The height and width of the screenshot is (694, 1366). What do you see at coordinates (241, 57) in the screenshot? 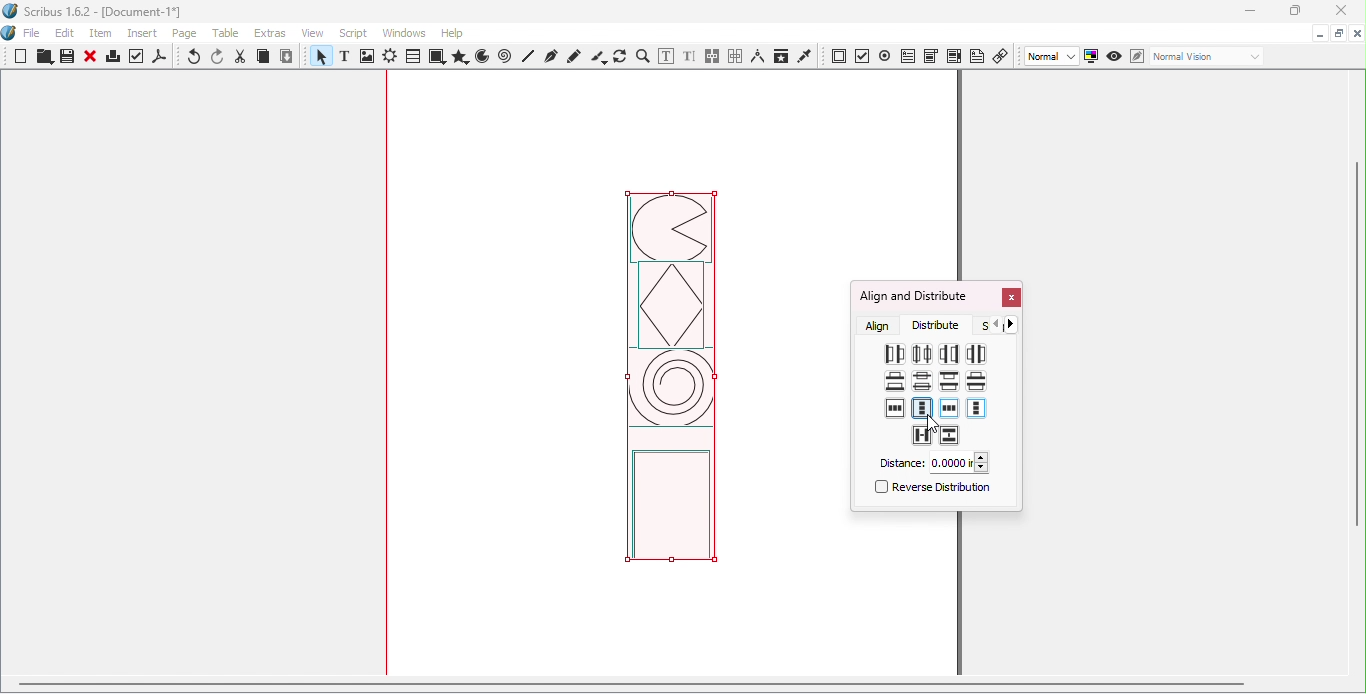
I see `Cut` at bounding box center [241, 57].